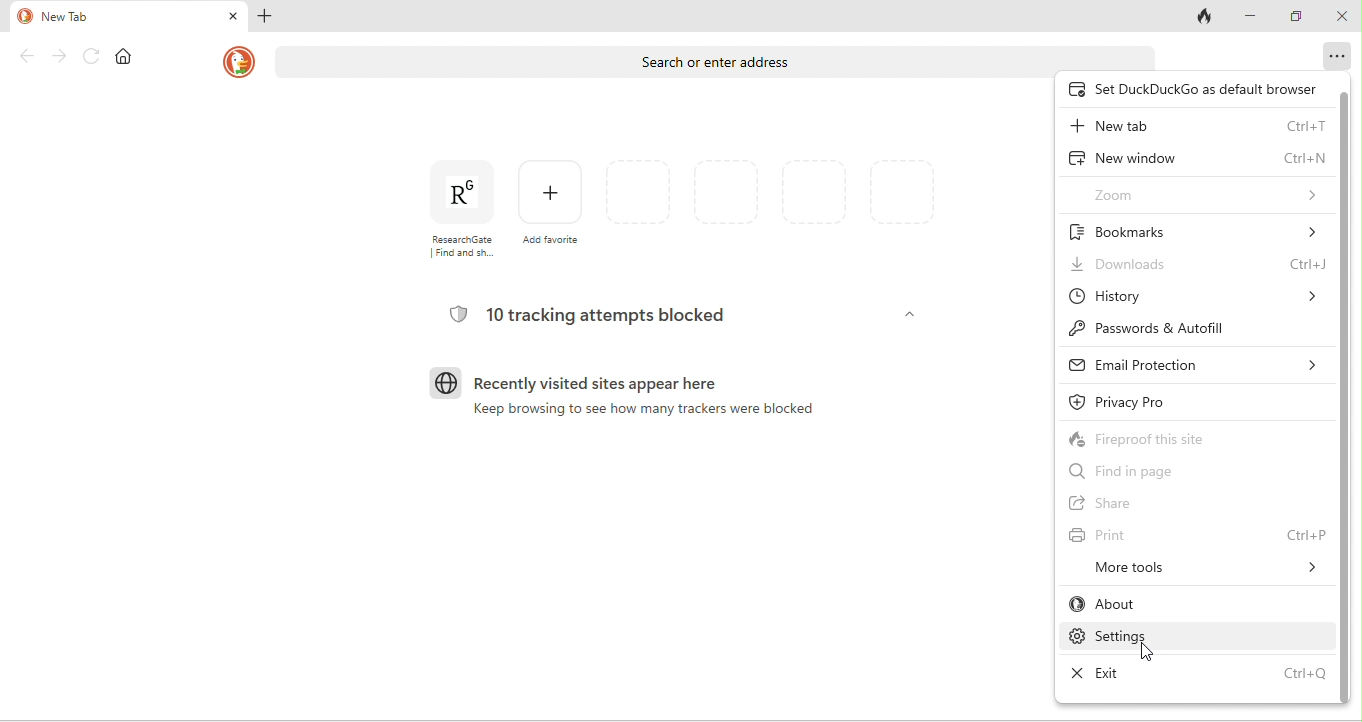 The height and width of the screenshot is (722, 1362). Describe the element at coordinates (237, 62) in the screenshot. I see `duck duck go logo` at that location.